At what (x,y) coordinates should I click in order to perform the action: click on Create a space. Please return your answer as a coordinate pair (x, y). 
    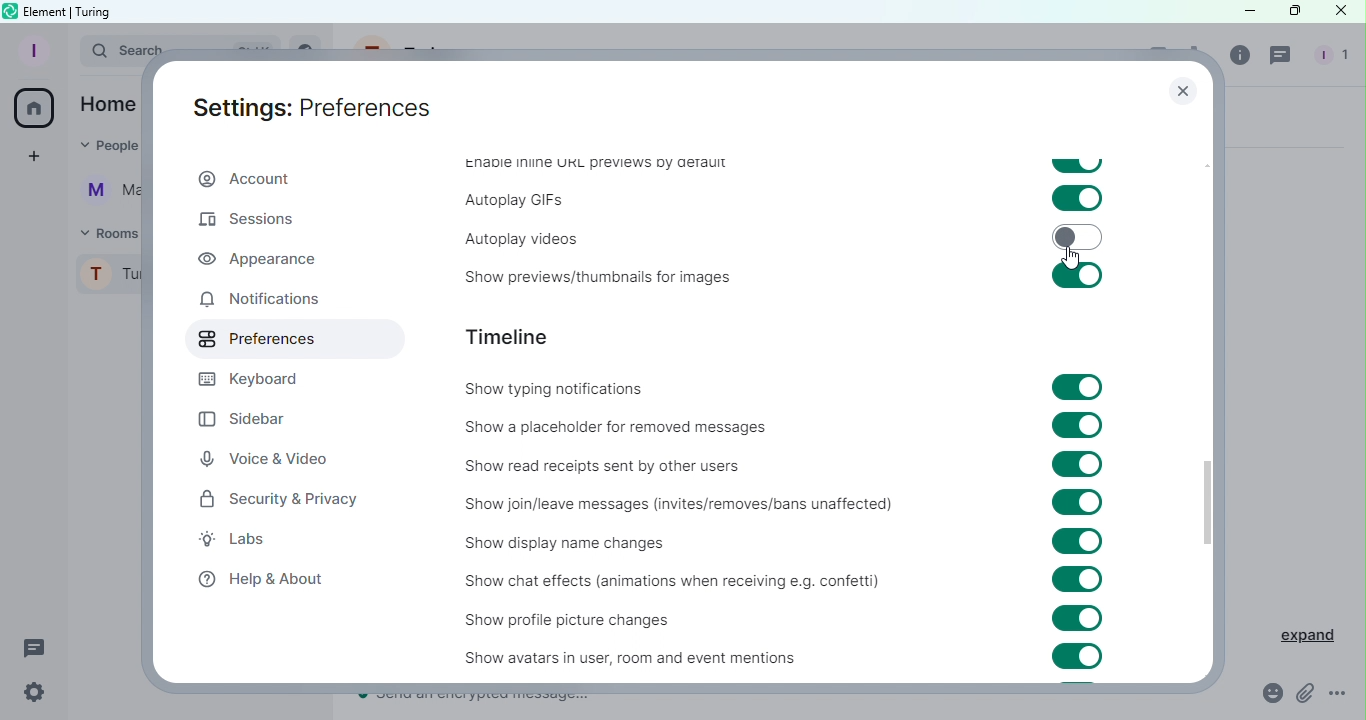
    Looking at the image, I should click on (37, 156).